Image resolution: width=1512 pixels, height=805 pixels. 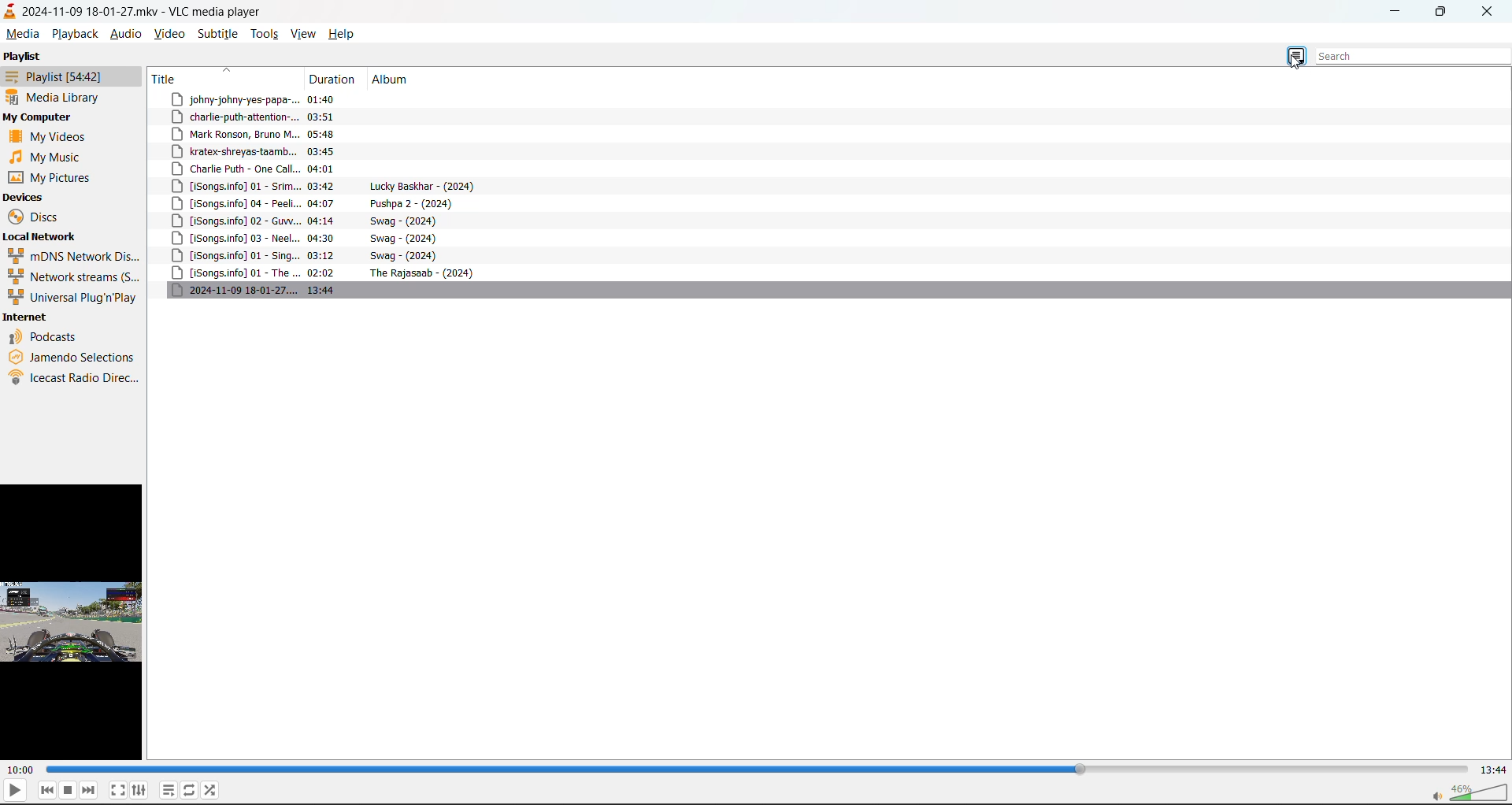 What do you see at coordinates (72, 298) in the screenshot?
I see `universal plug n play` at bounding box center [72, 298].